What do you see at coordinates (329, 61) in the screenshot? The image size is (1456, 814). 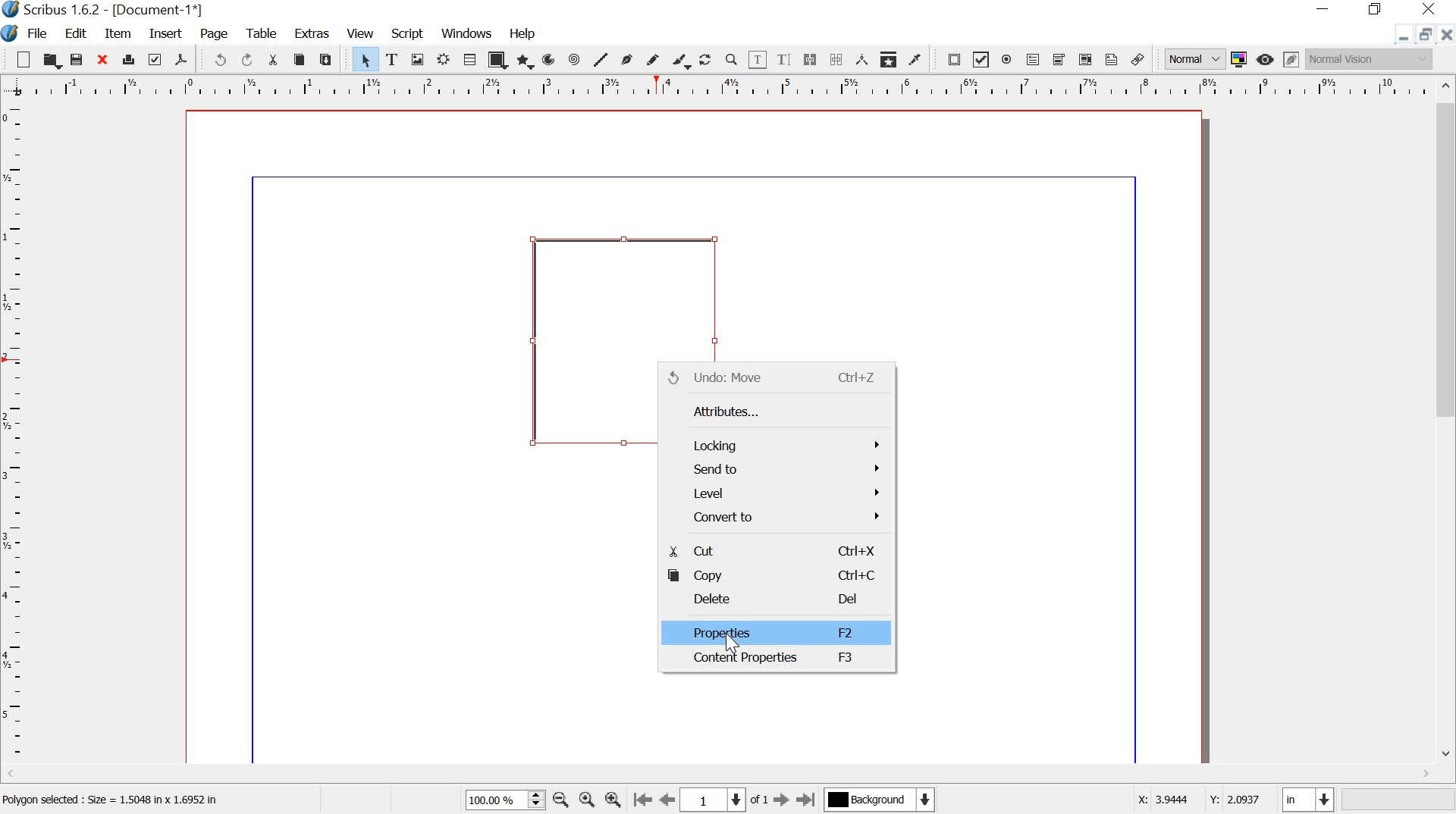 I see `paste` at bounding box center [329, 61].